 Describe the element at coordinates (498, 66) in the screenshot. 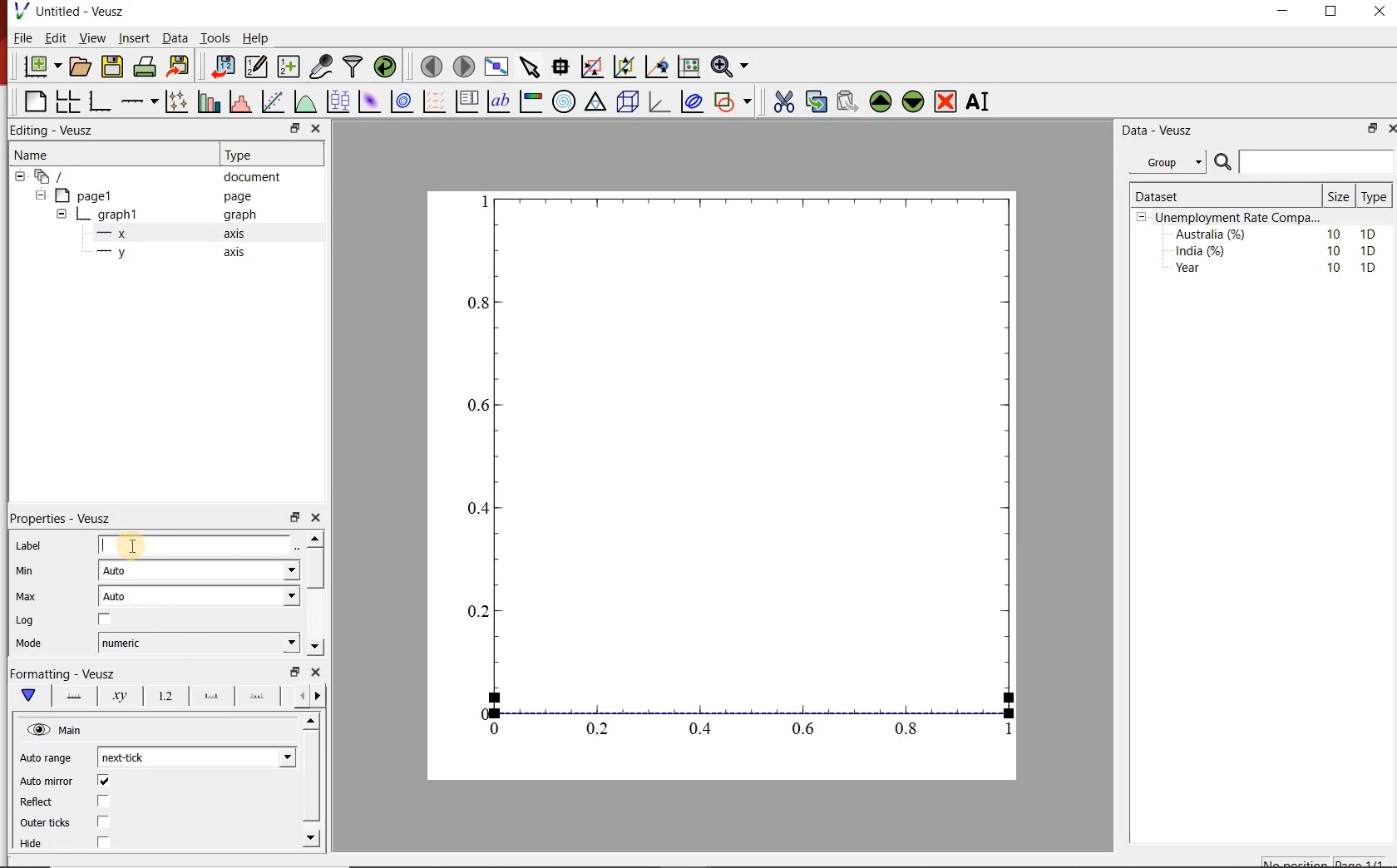

I see `view plot on full screen` at that location.